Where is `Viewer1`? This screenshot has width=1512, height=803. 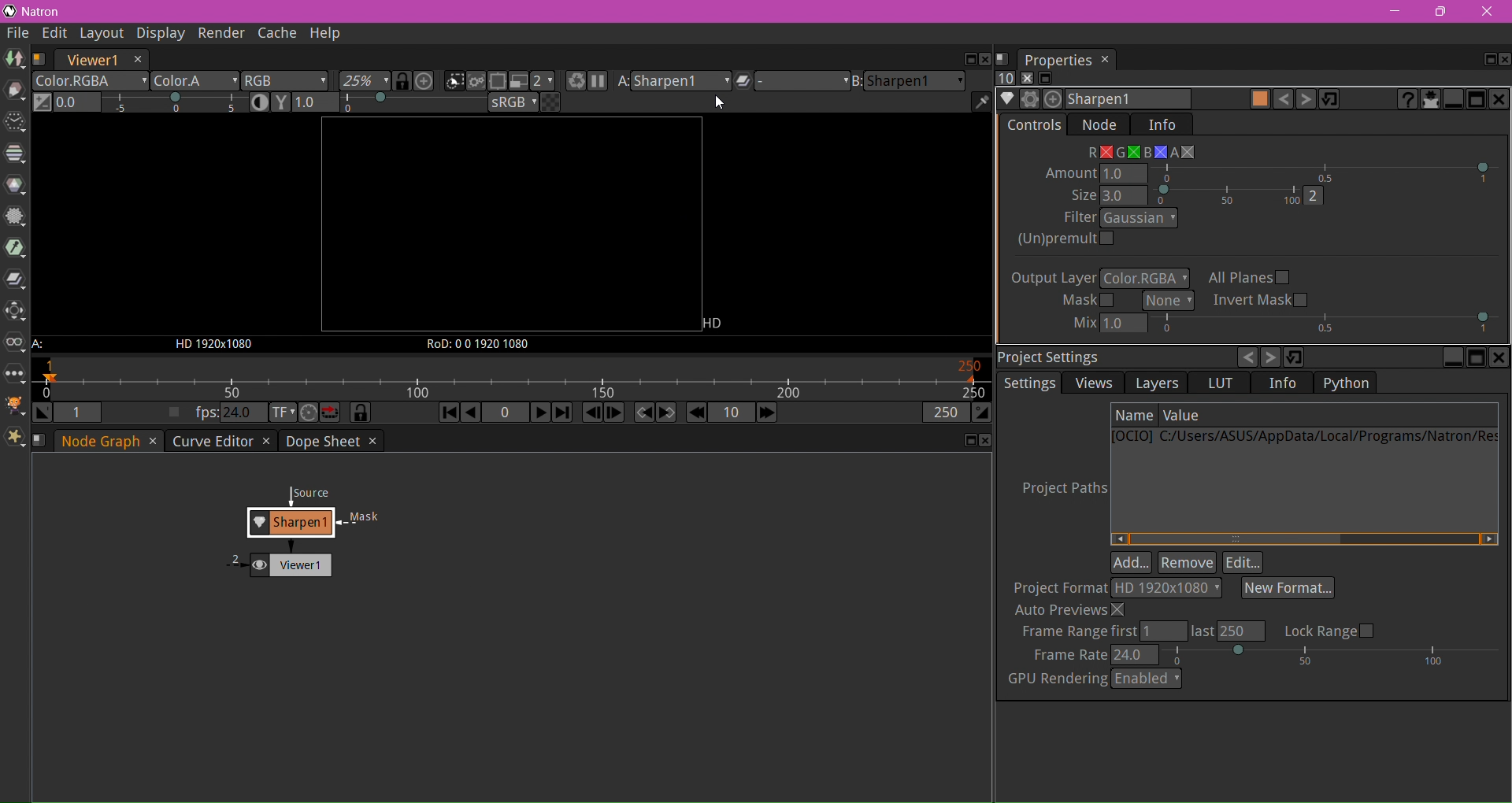 Viewer1 is located at coordinates (91, 60).